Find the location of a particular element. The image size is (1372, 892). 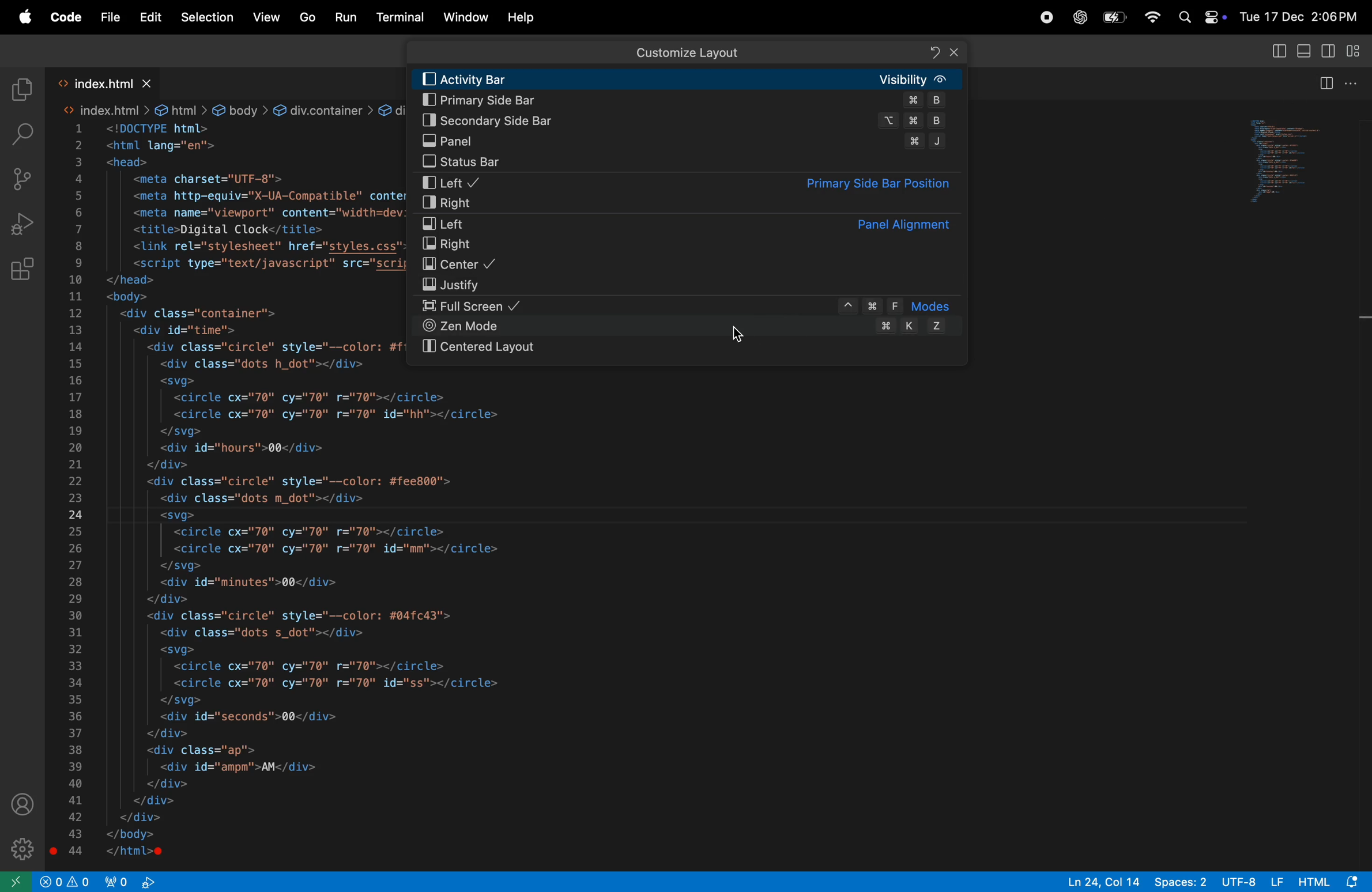

<> index.html > @ html > & body > & div.container > is located at coordinates (218, 111).